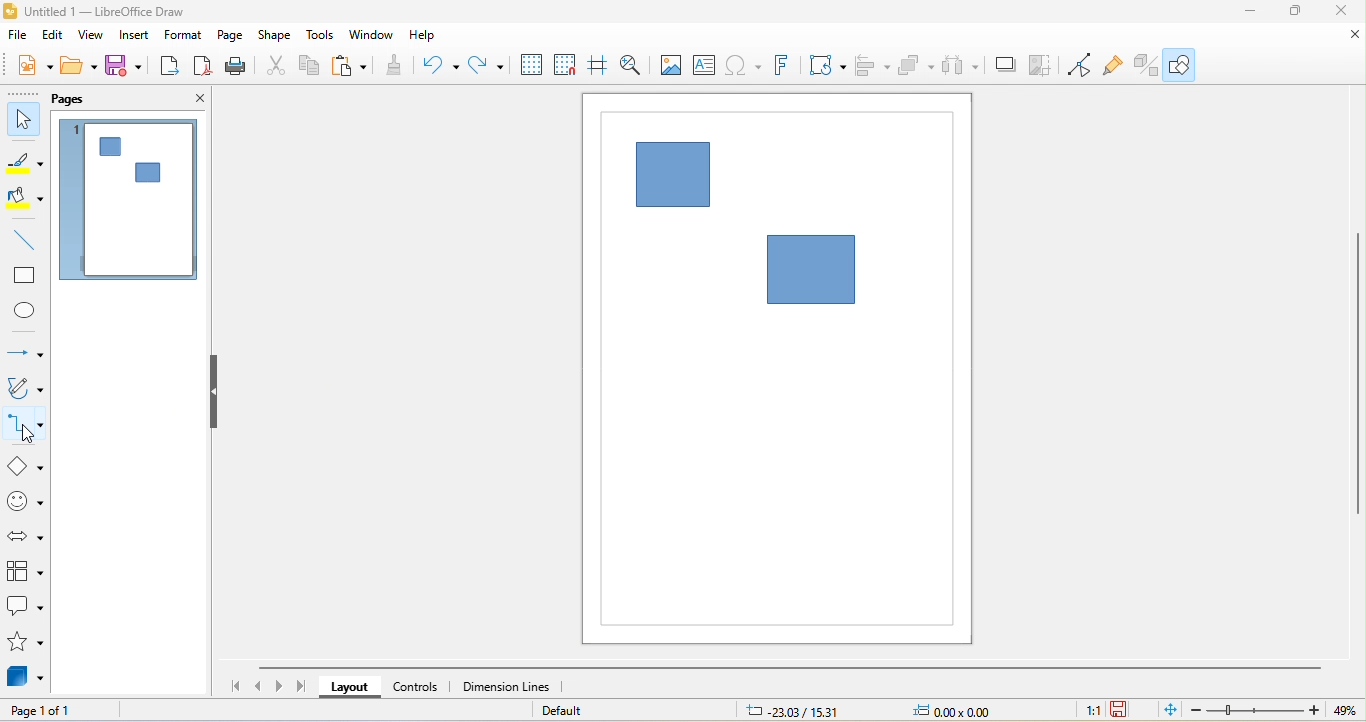  What do you see at coordinates (1253, 14) in the screenshot?
I see `minimize` at bounding box center [1253, 14].